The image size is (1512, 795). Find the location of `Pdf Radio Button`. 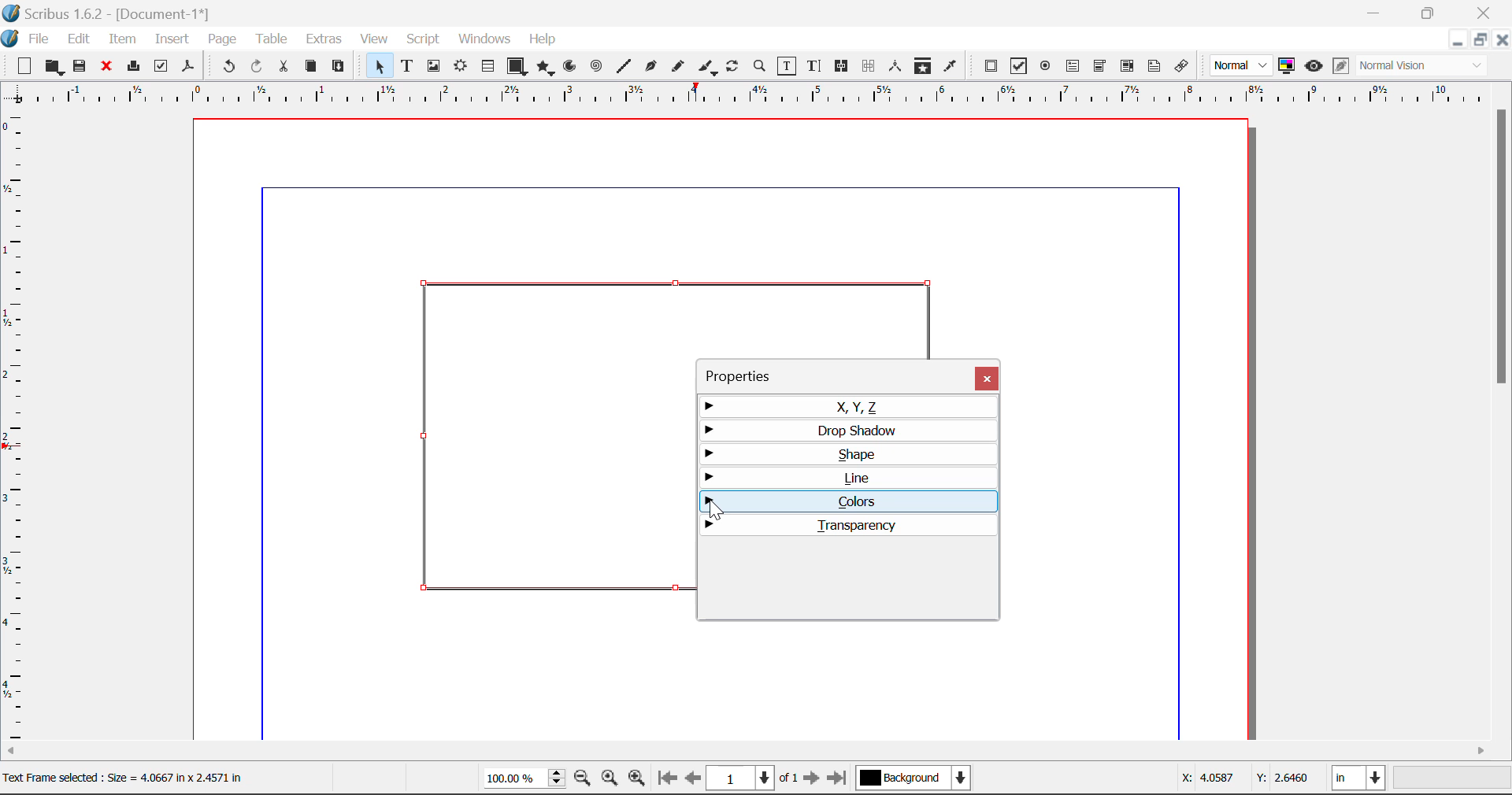

Pdf Radio Button is located at coordinates (1045, 67).